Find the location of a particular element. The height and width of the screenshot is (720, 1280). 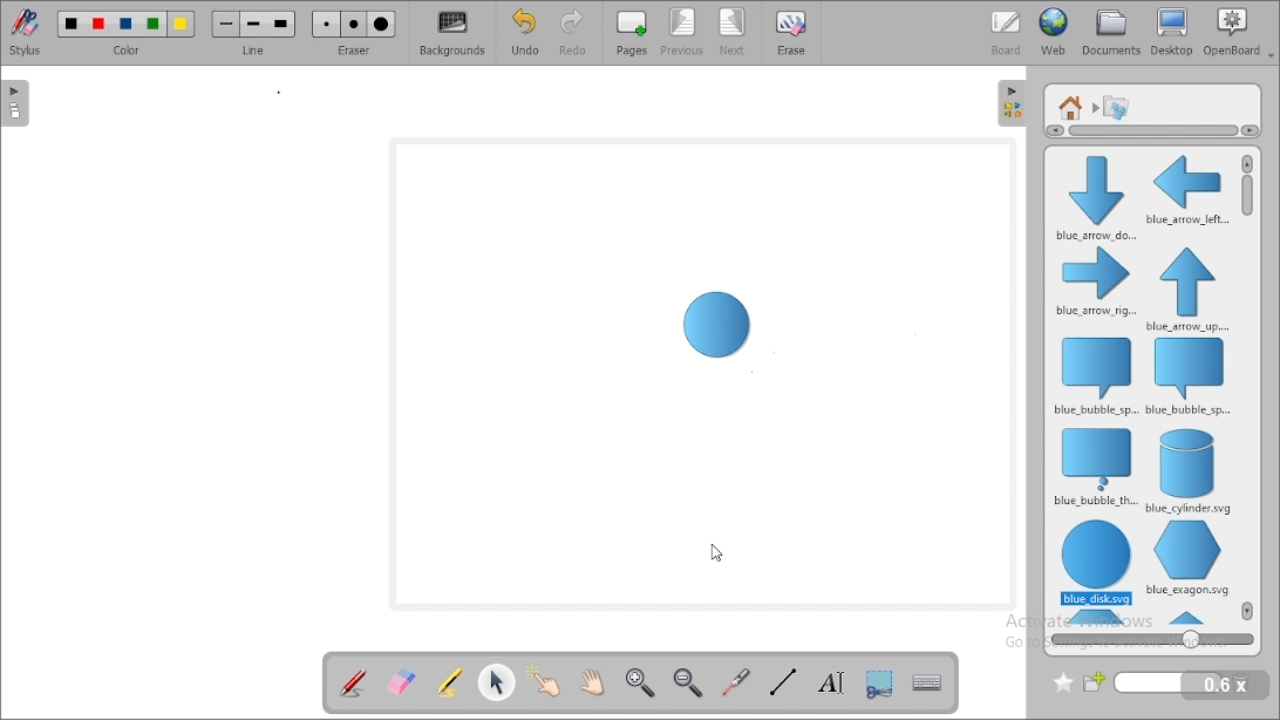

annotate document is located at coordinates (352, 682).